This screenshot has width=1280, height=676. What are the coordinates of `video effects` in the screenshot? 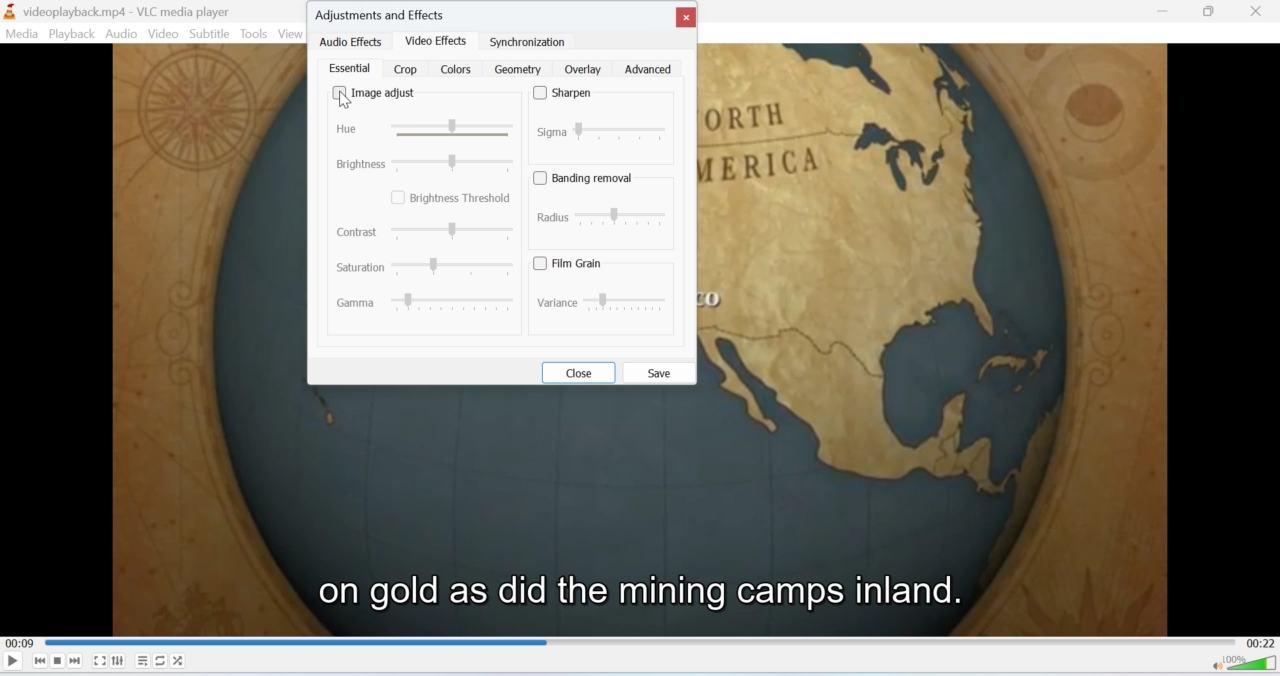 It's located at (437, 39).